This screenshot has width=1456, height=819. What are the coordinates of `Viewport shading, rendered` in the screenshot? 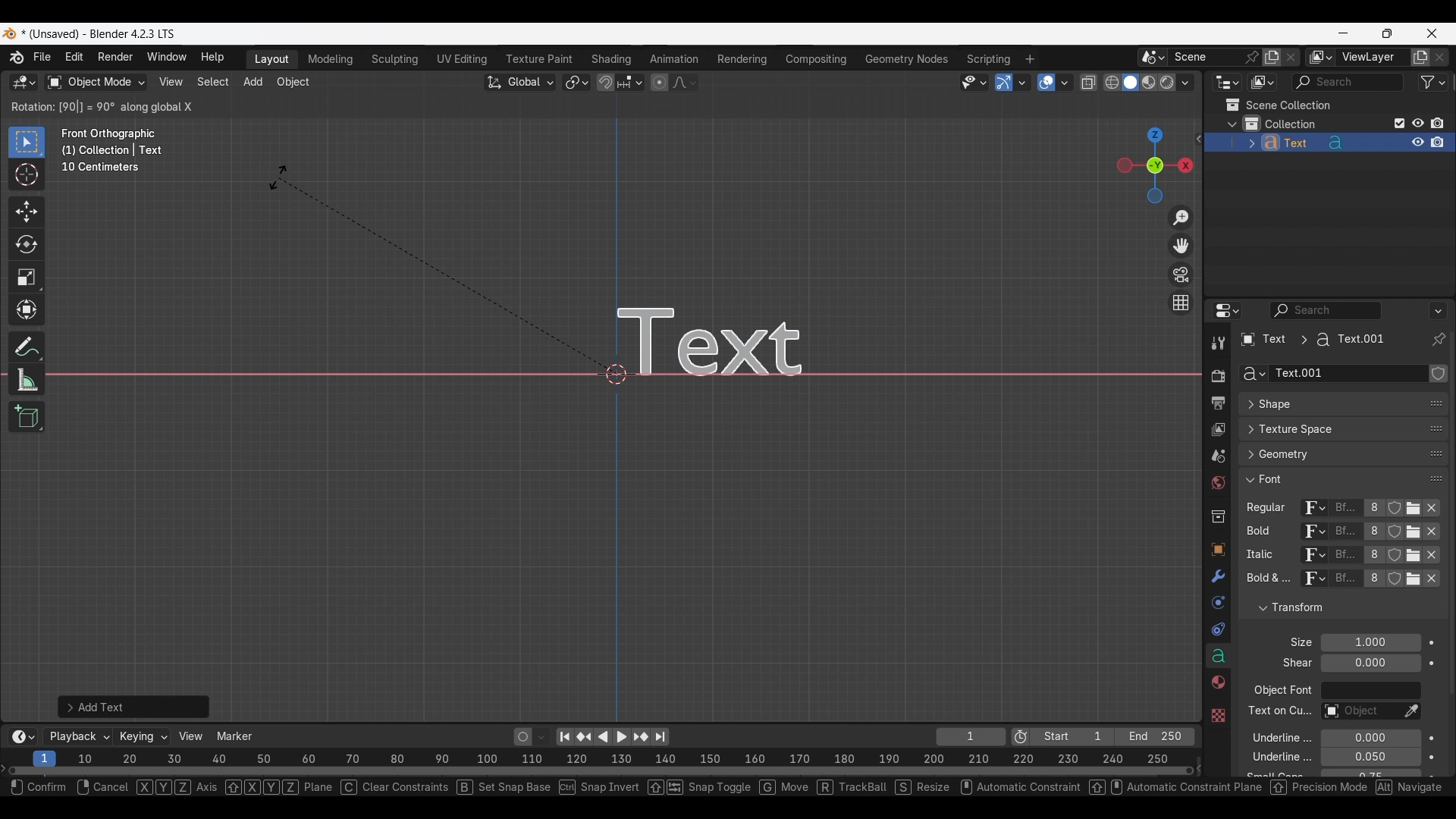 It's located at (1166, 82).